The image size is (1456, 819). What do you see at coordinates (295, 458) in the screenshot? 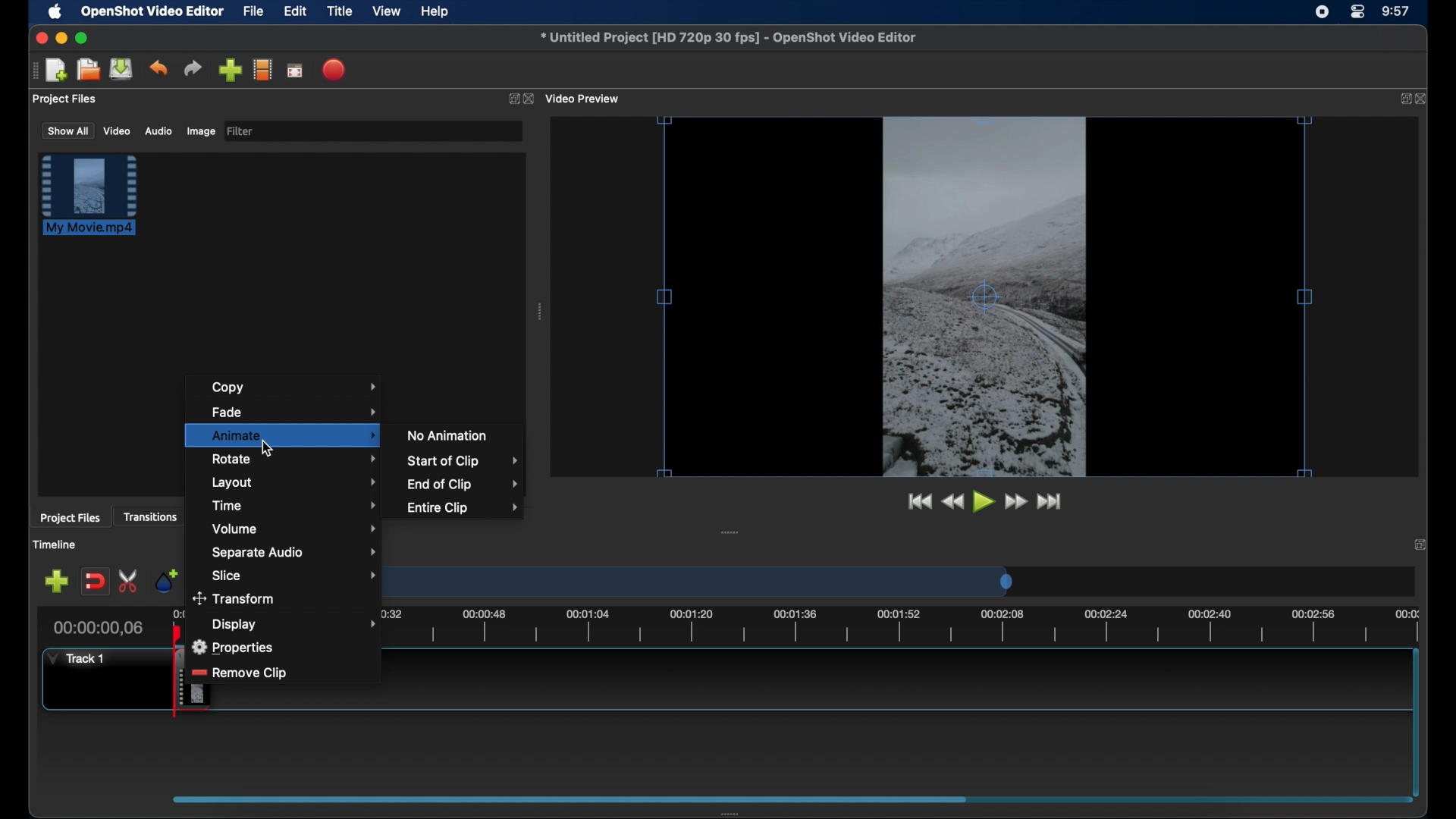
I see `rotate menu` at bounding box center [295, 458].